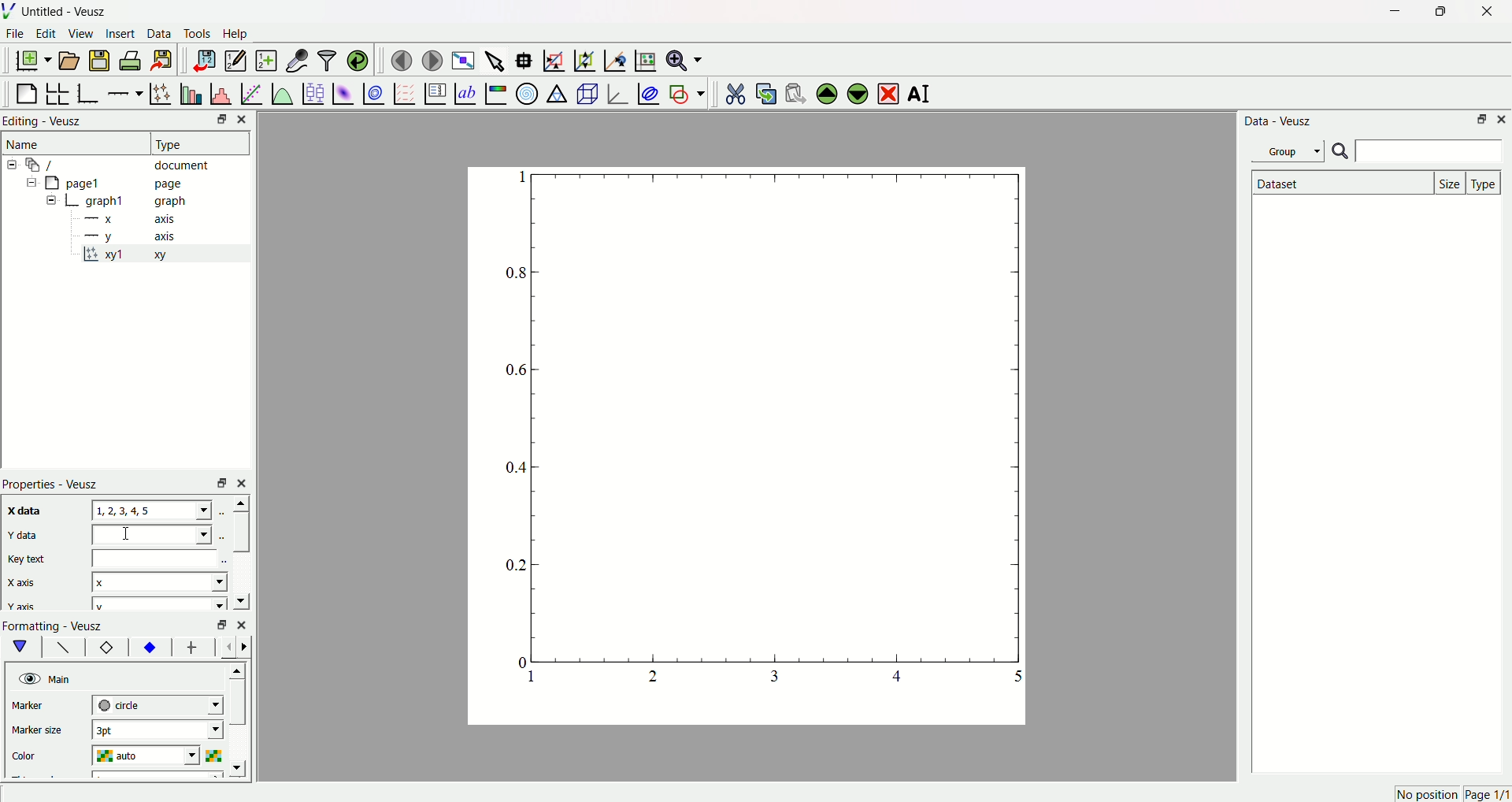 The image size is (1512, 802). Describe the element at coordinates (46, 35) in the screenshot. I see `Edit` at that location.